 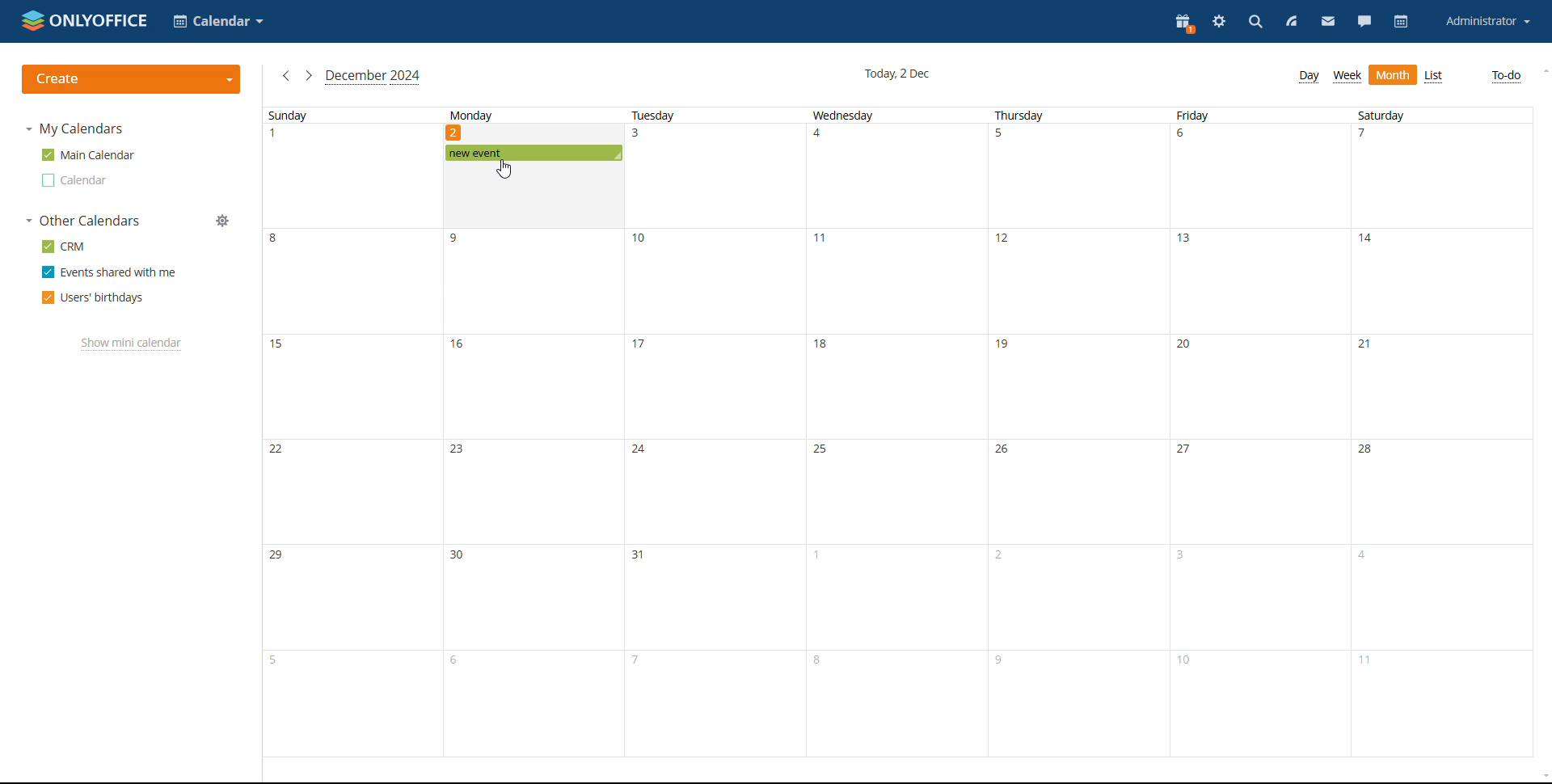 What do you see at coordinates (1292, 23) in the screenshot?
I see `feed` at bounding box center [1292, 23].